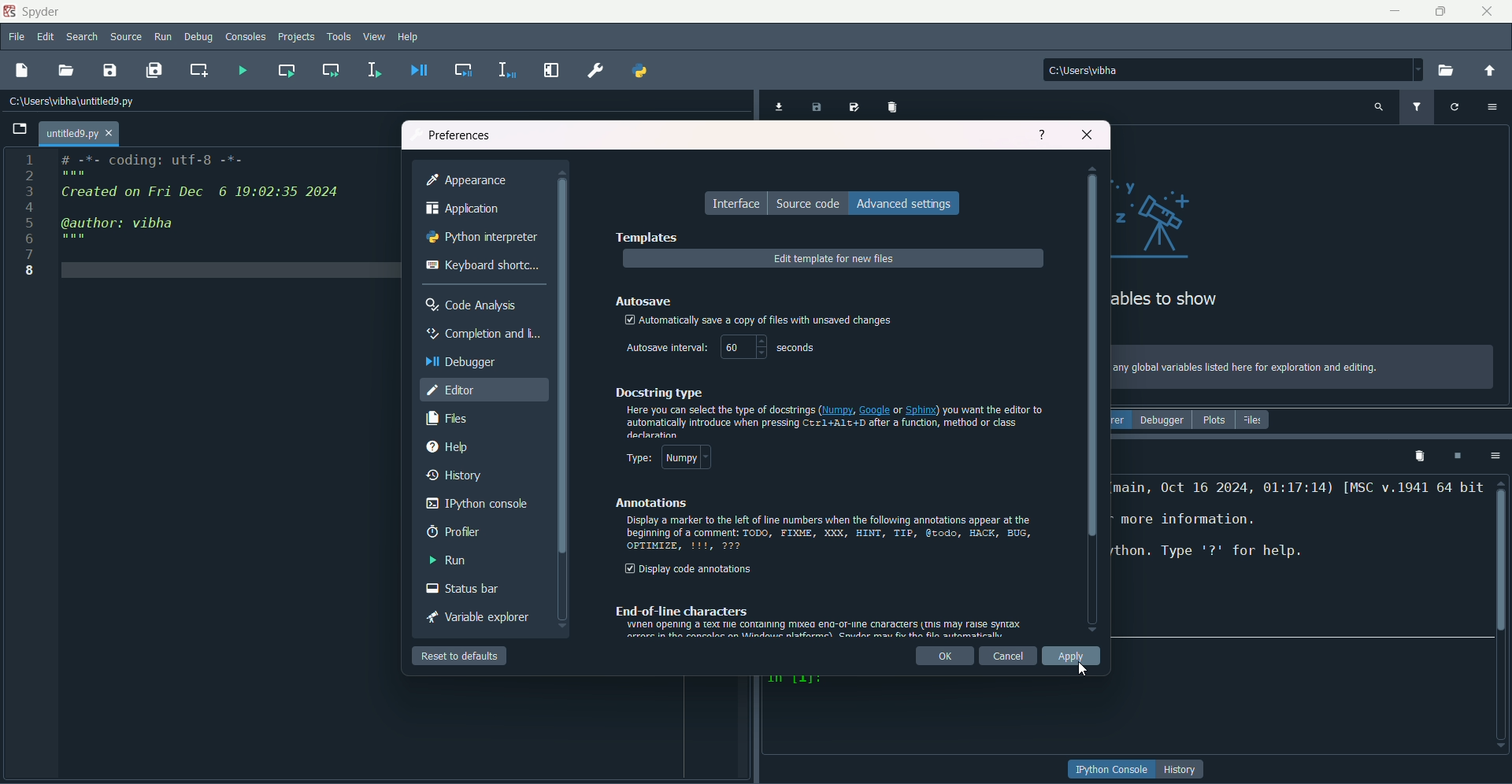  I want to click on close, so click(1488, 11).